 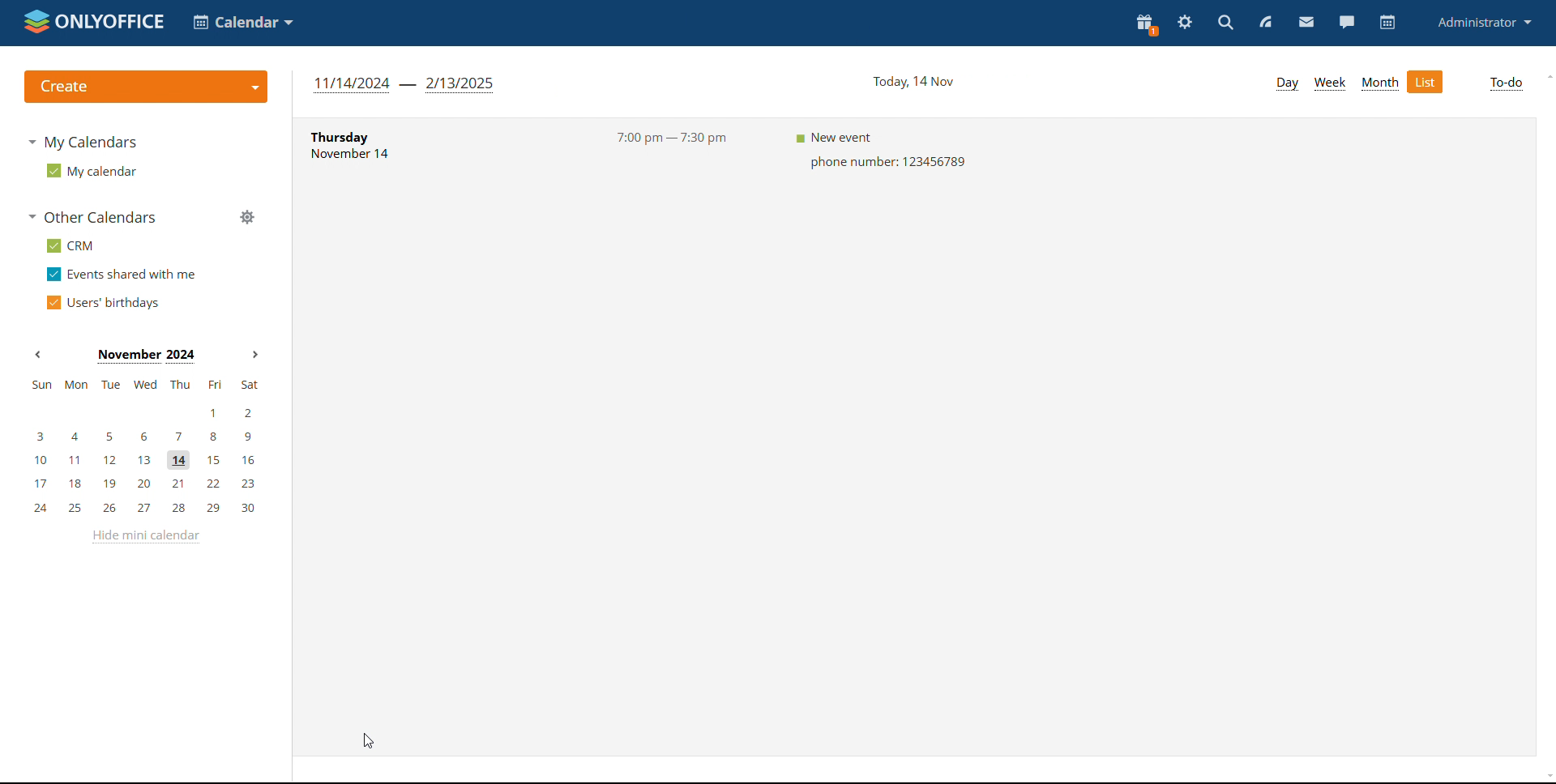 What do you see at coordinates (1485, 22) in the screenshot?
I see `profile` at bounding box center [1485, 22].